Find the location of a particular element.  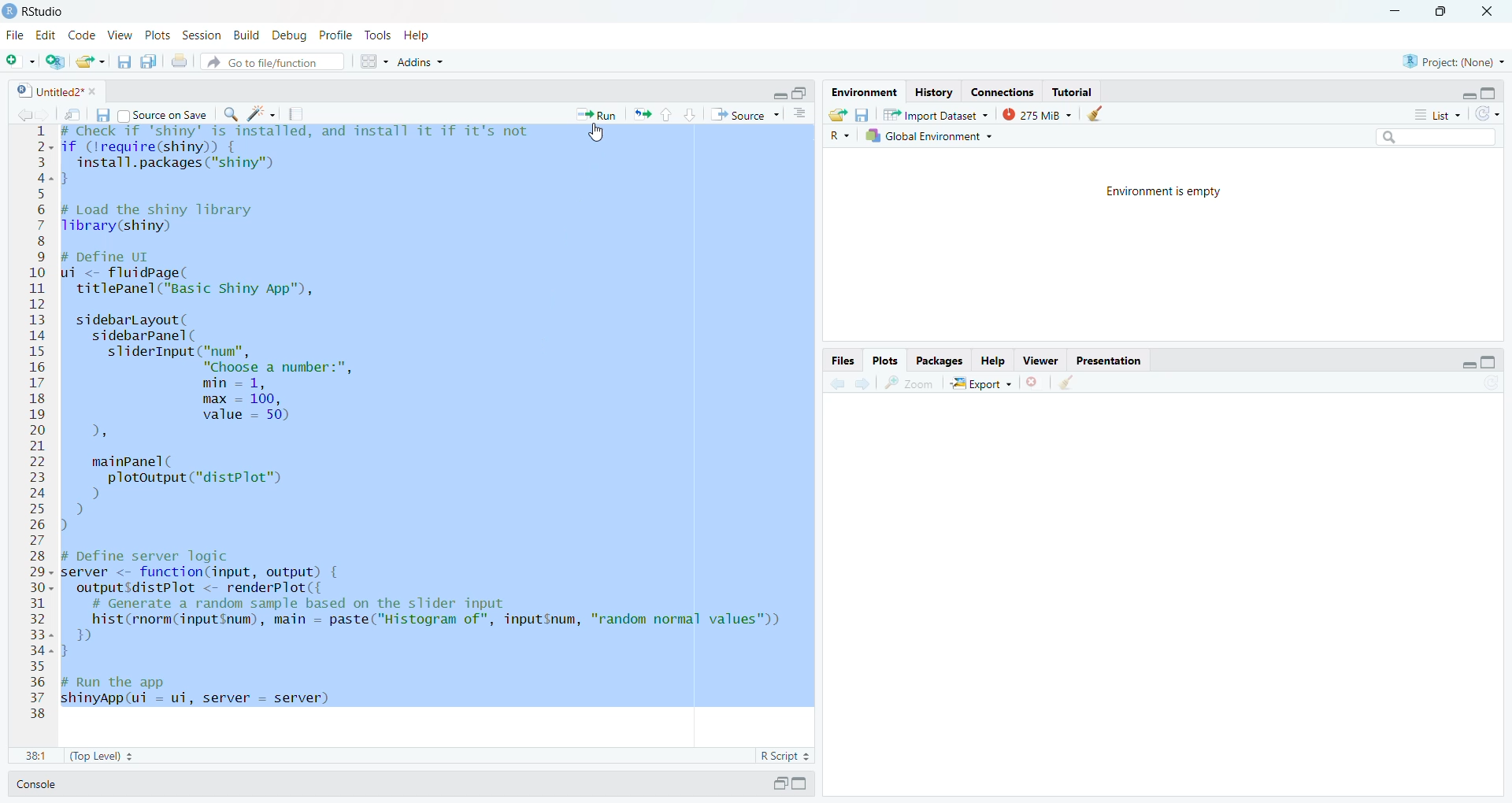

back is located at coordinates (839, 382).